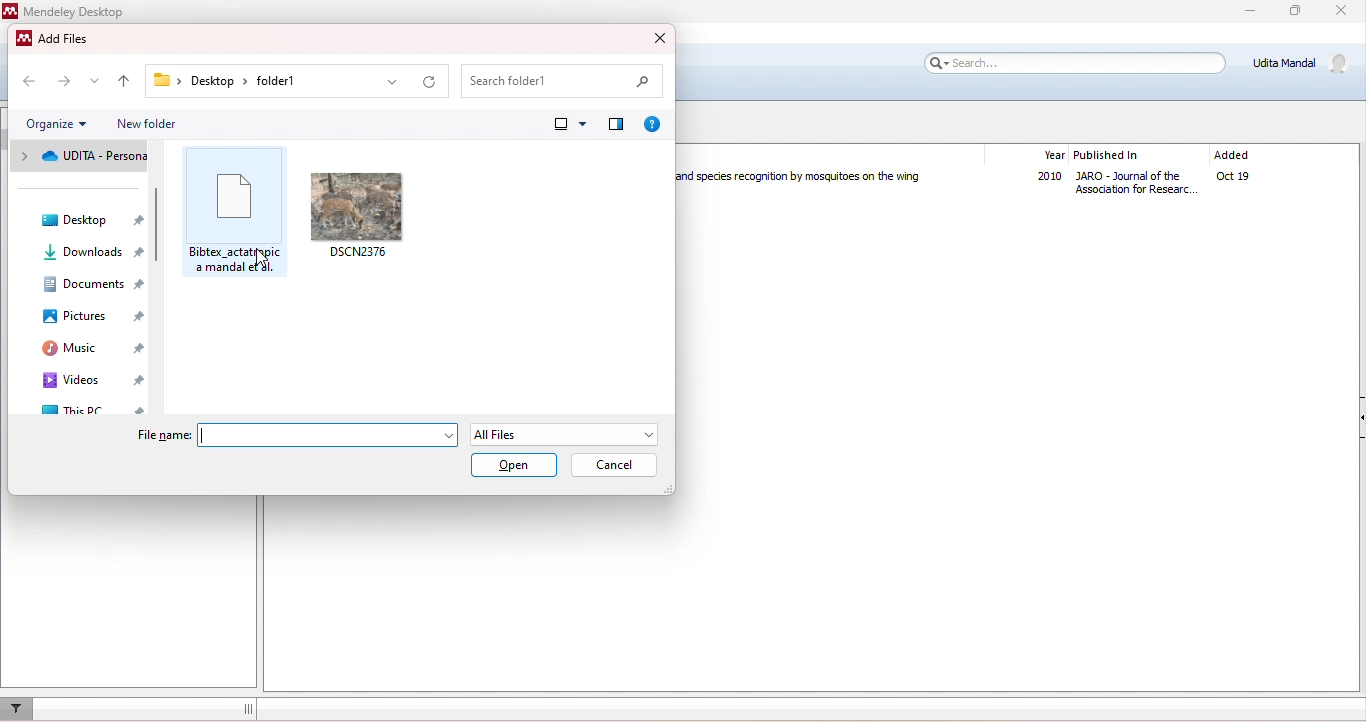 The width and height of the screenshot is (1366, 722). What do you see at coordinates (1048, 177) in the screenshot?
I see `2010` at bounding box center [1048, 177].